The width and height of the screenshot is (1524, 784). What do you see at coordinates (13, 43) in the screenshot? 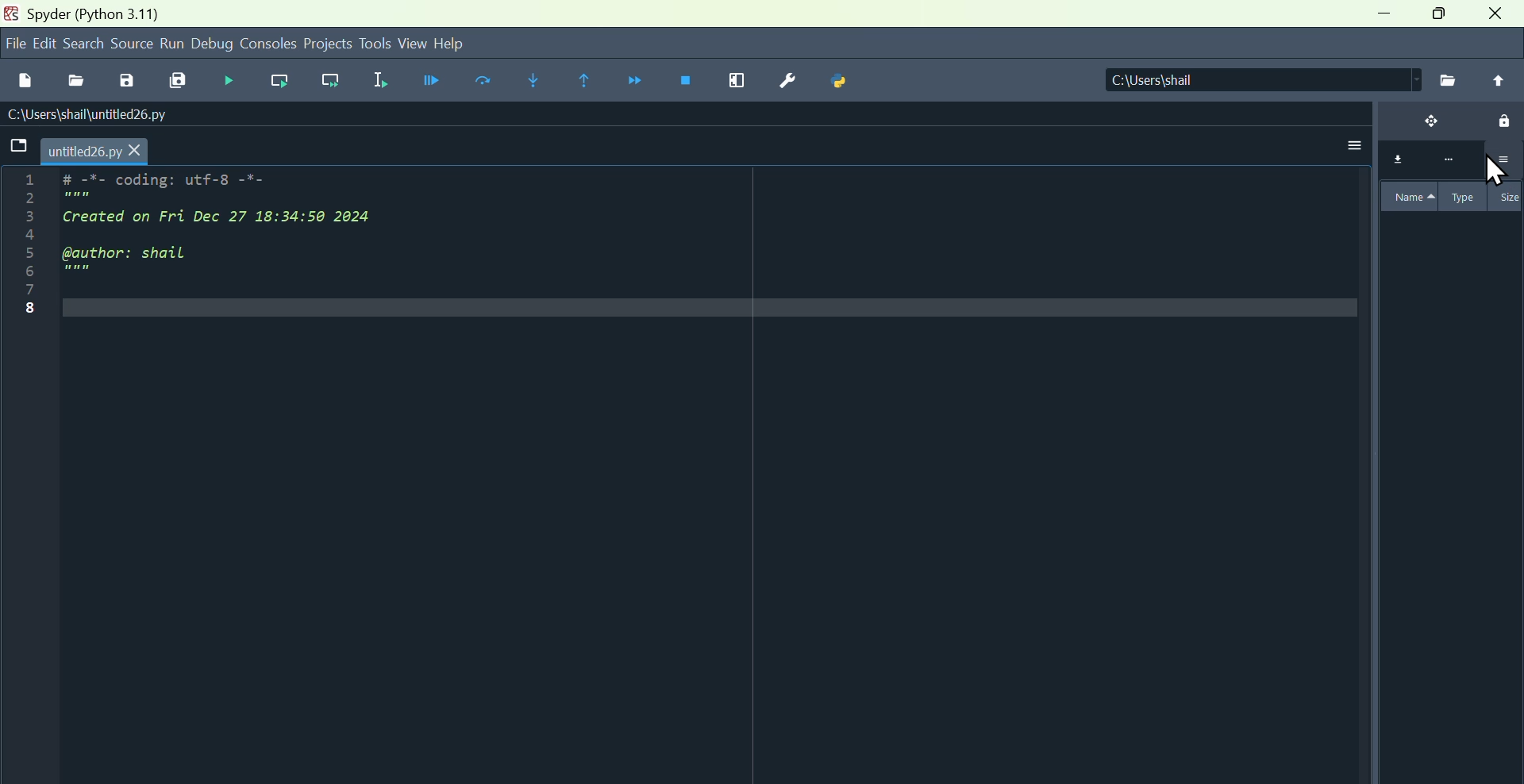
I see `file` at bounding box center [13, 43].